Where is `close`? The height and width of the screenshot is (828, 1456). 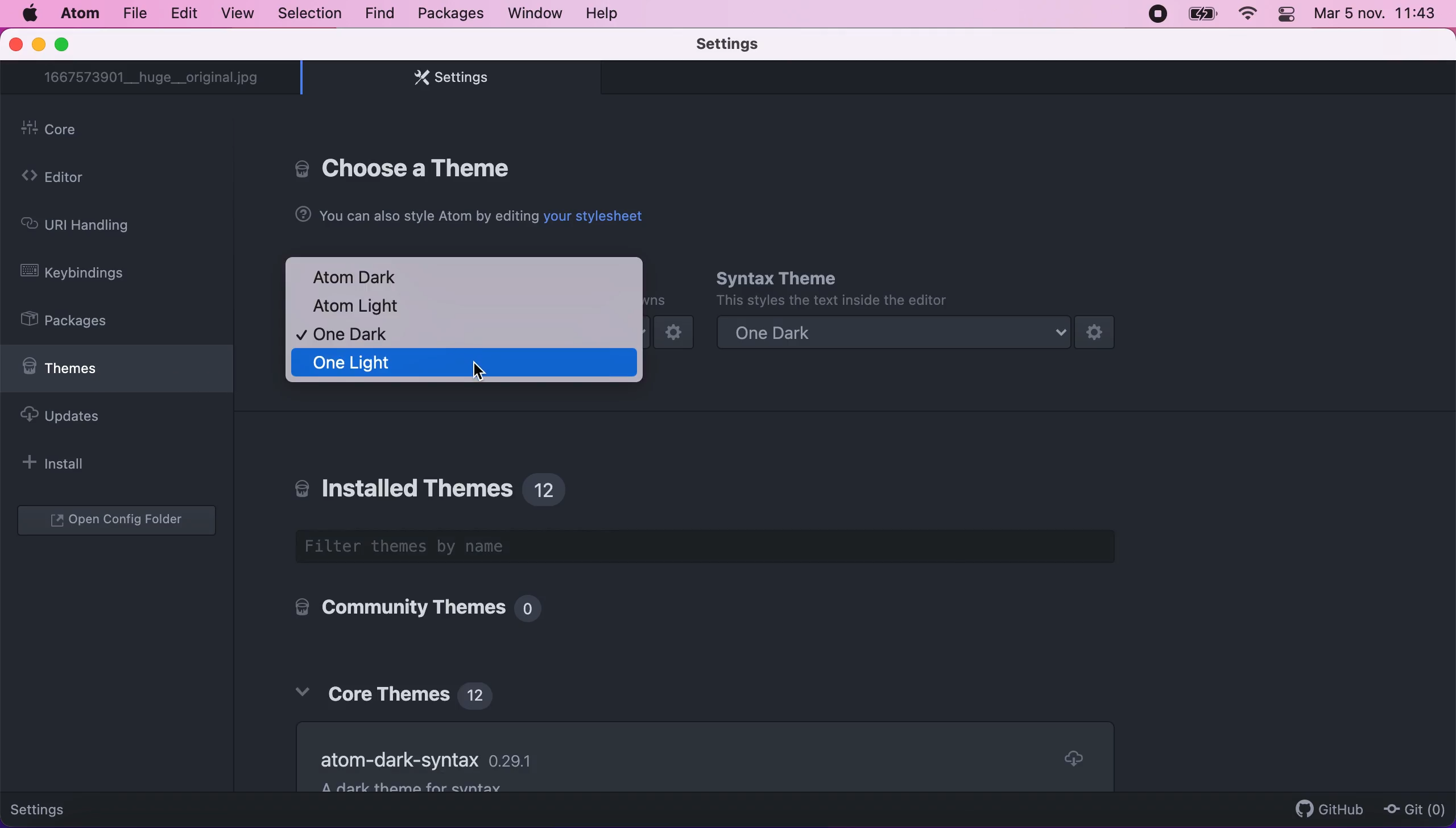
close is located at coordinates (15, 46).